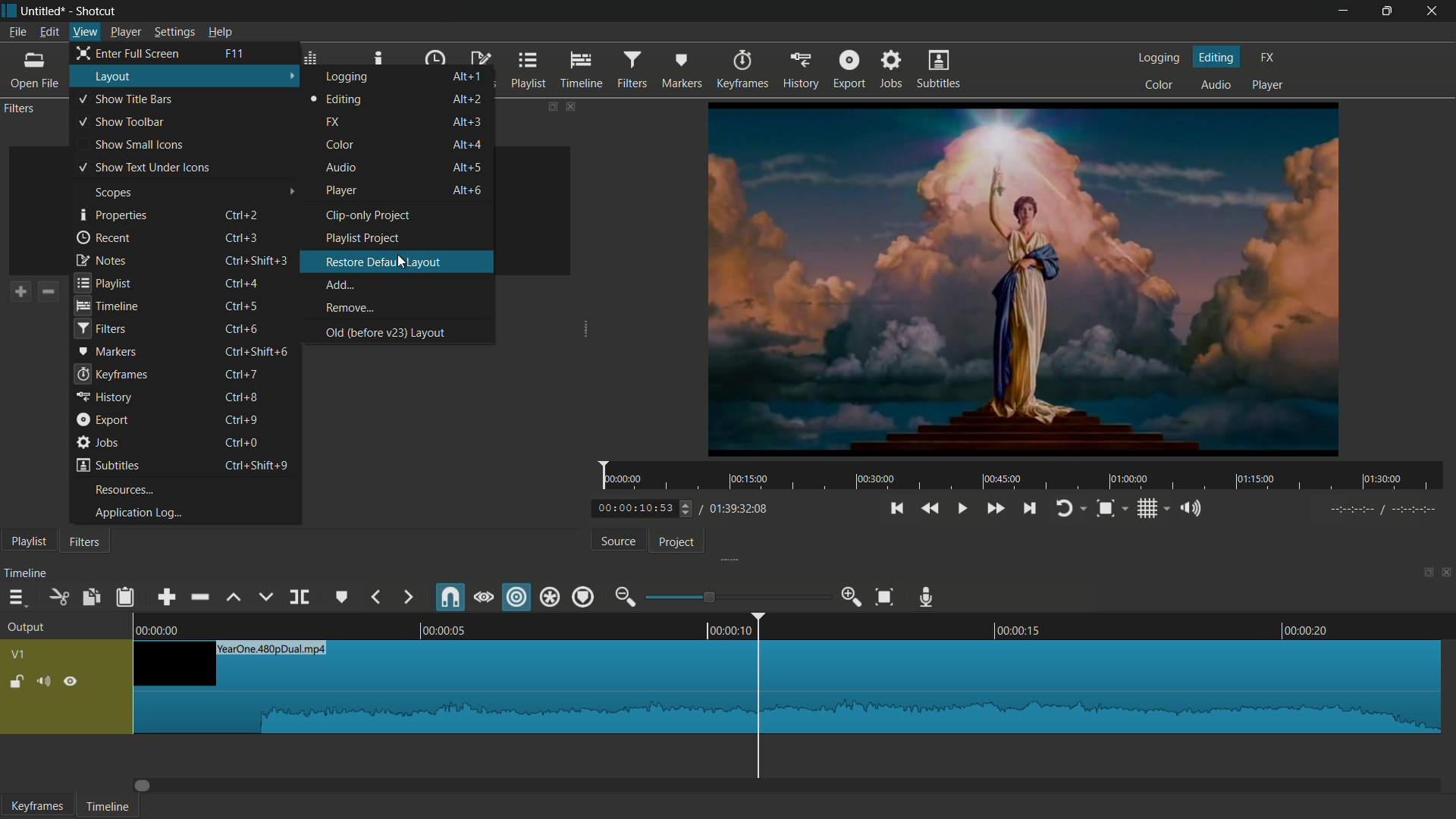 Image resolution: width=1456 pixels, height=819 pixels. What do you see at coordinates (348, 77) in the screenshot?
I see `logging` at bounding box center [348, 77].